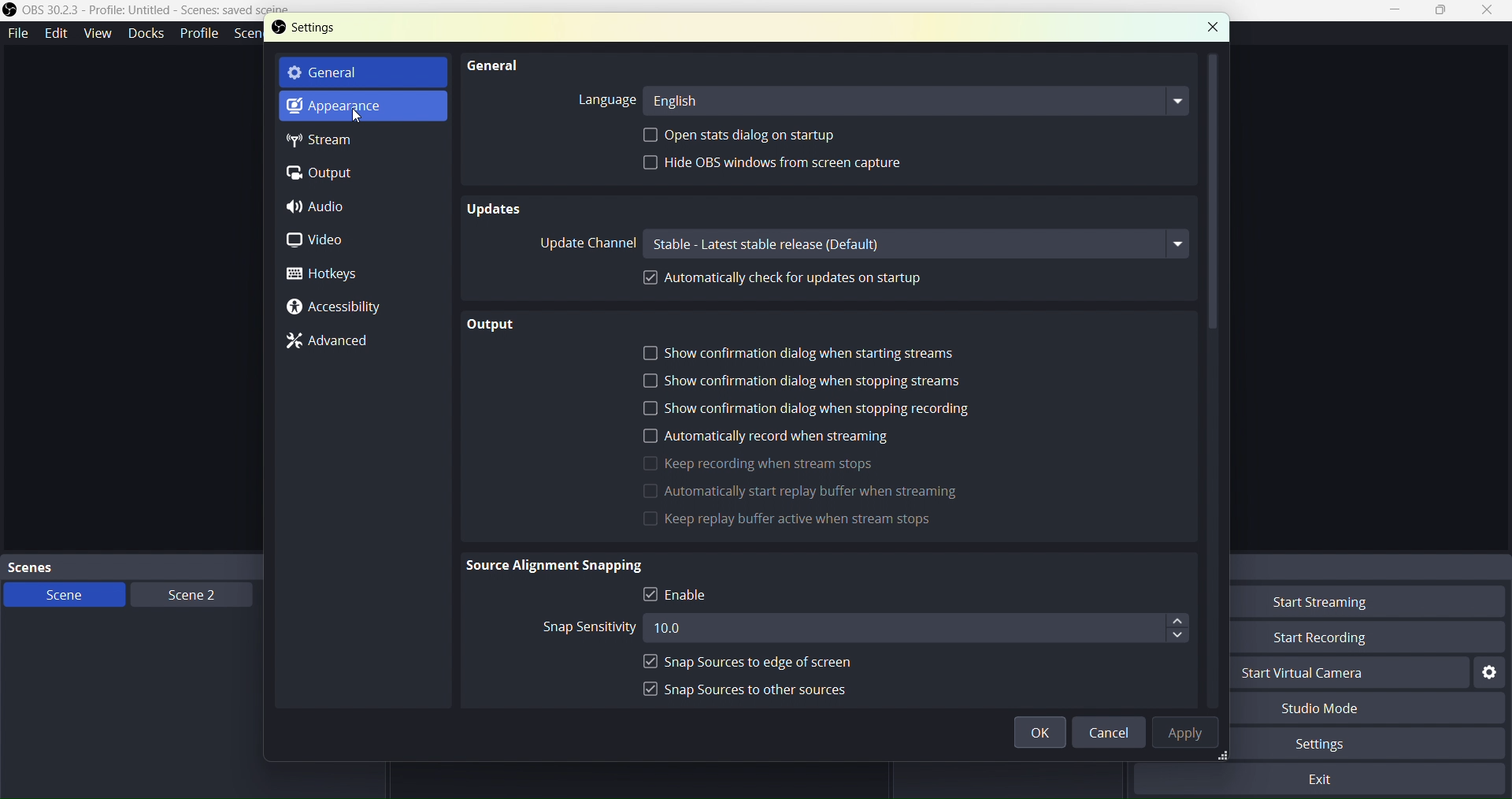  I want to click on Output, so click(502, 324).